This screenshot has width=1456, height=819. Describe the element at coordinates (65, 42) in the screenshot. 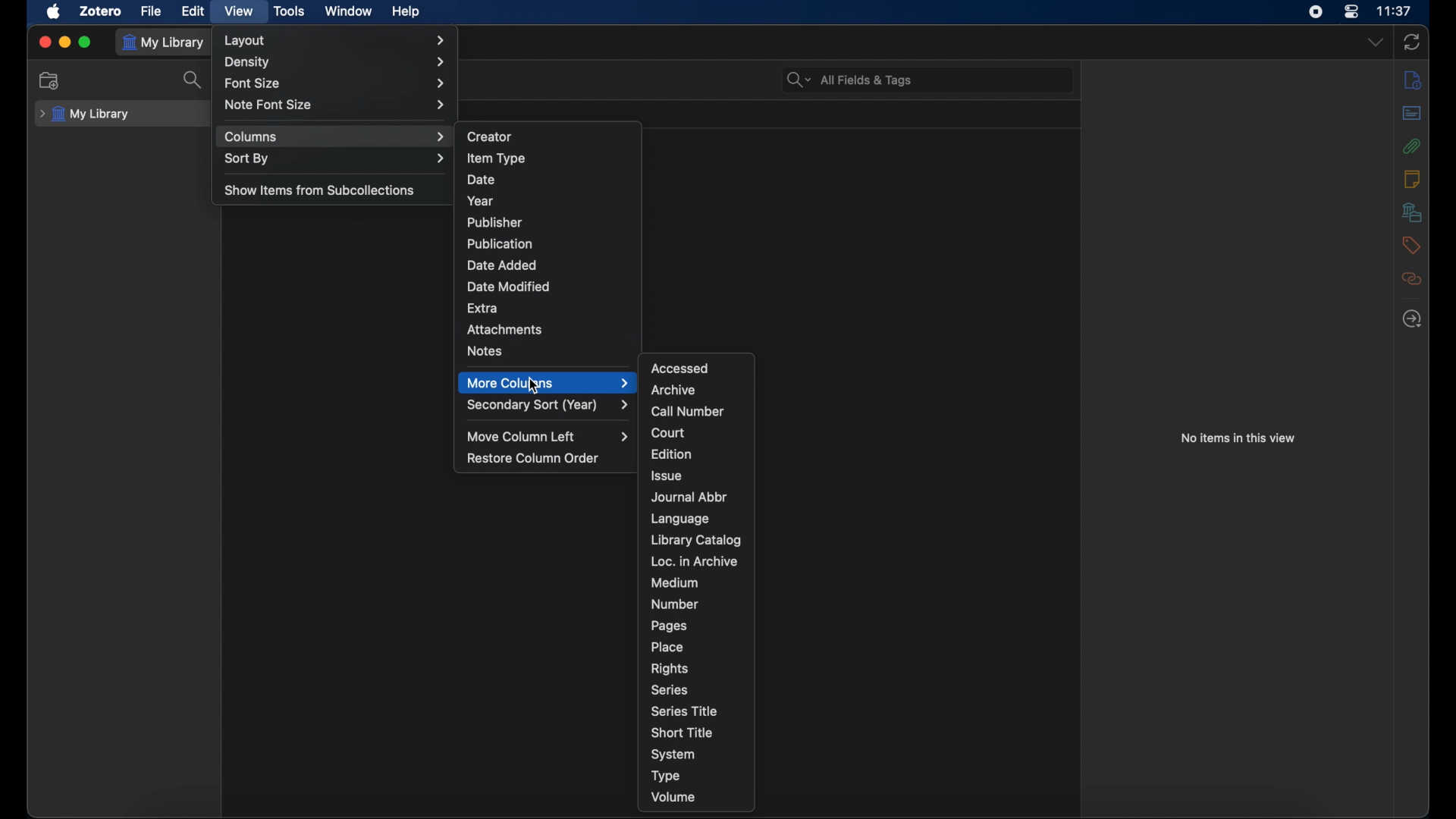

I see `minimize` at that location.